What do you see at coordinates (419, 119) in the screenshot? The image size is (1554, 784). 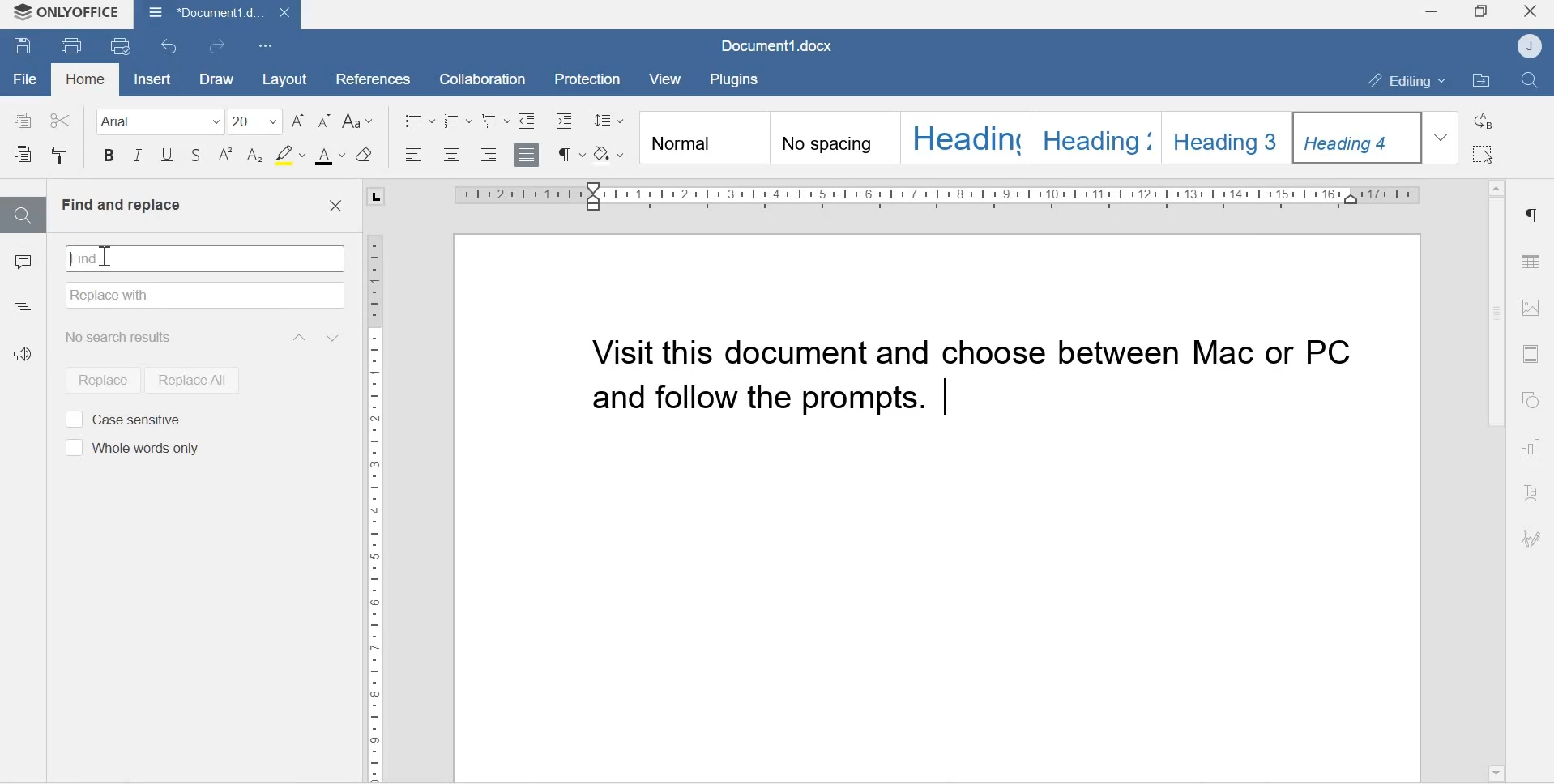 I see `Bullets` at bounding box center [419, 119].